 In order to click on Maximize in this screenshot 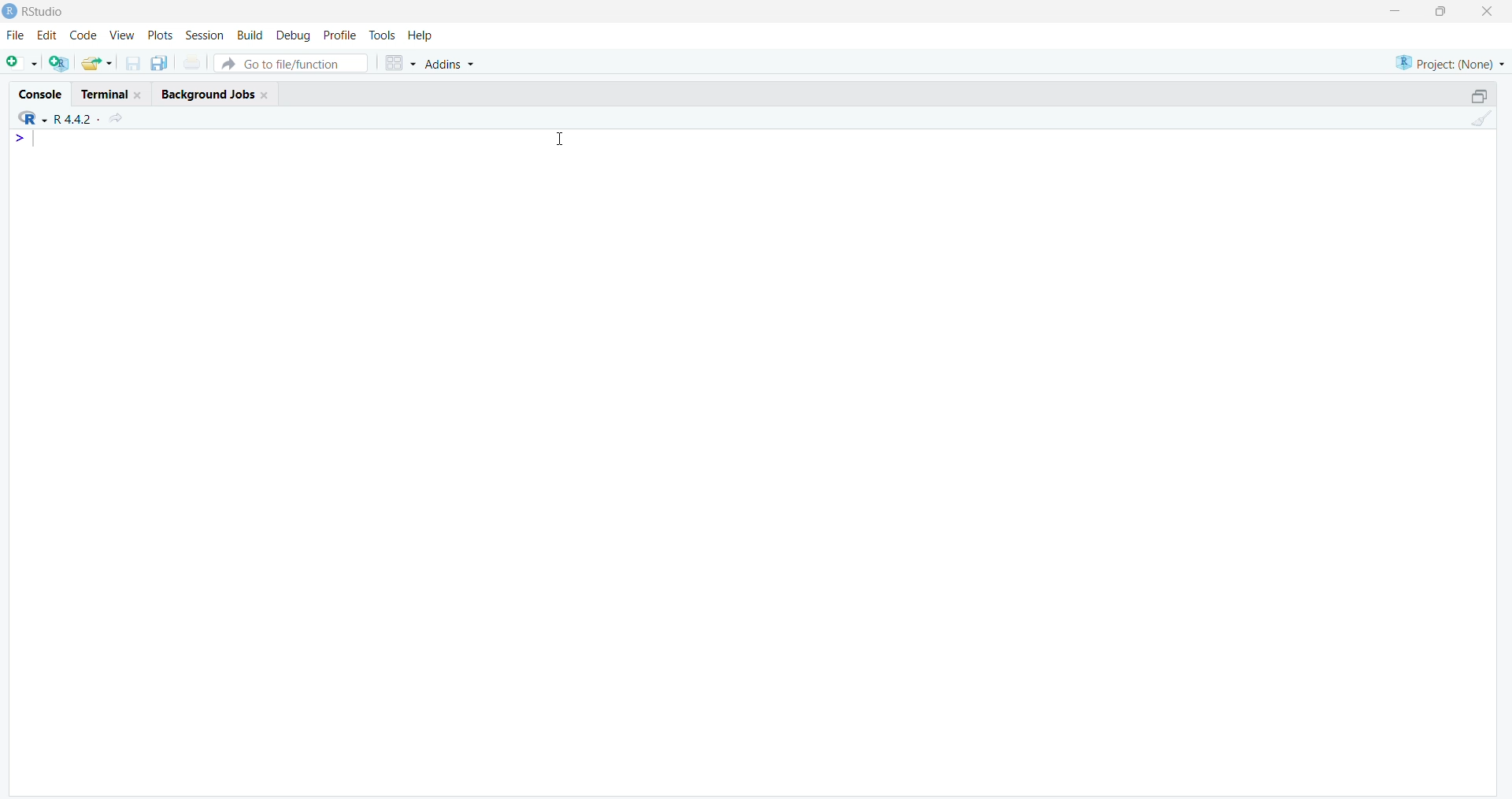, I will do `click(1441, 11)`.